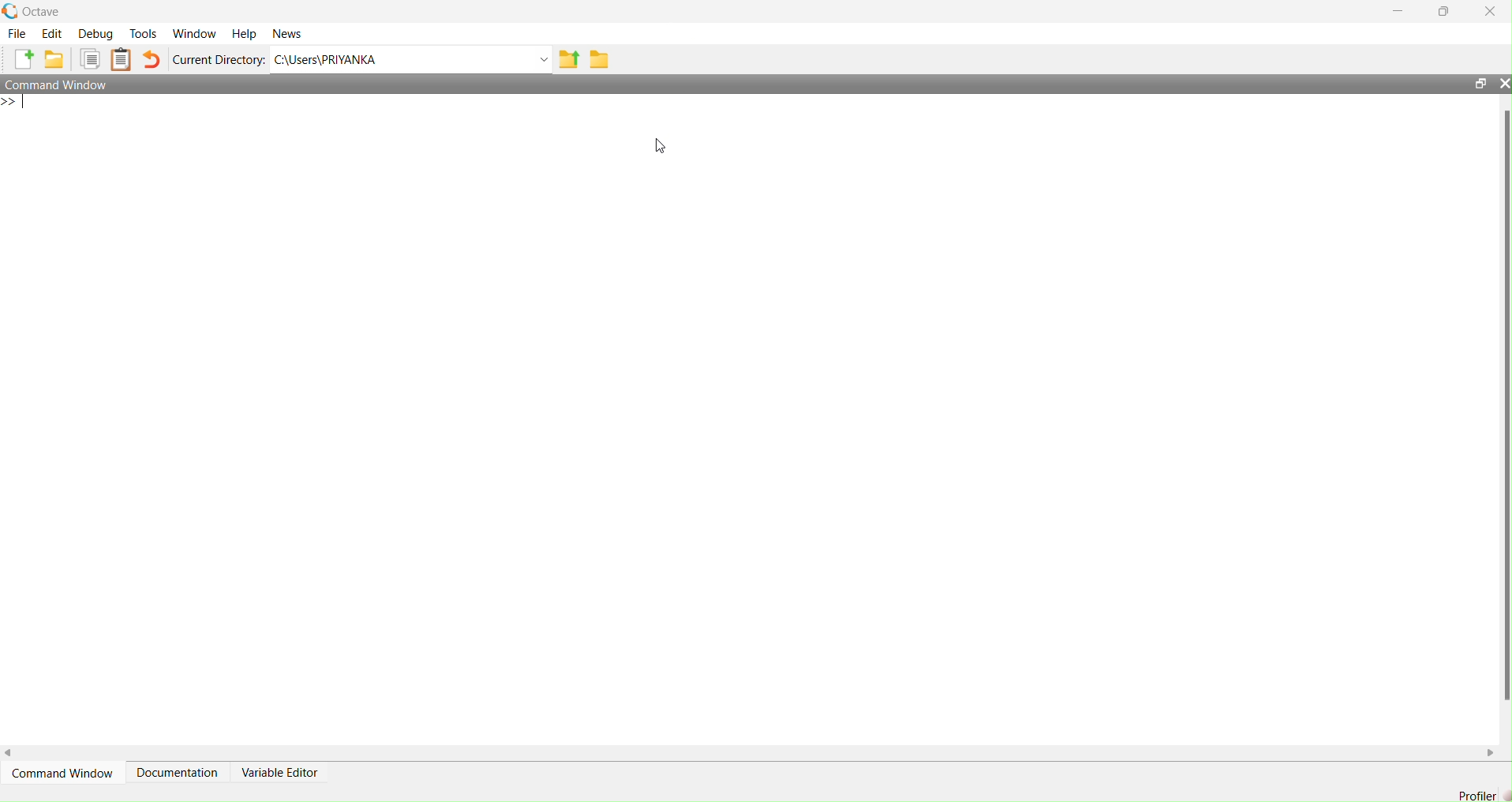 This screenshot has height=802, width=1512. I want to click on Current Directory:, so click(219, 59).